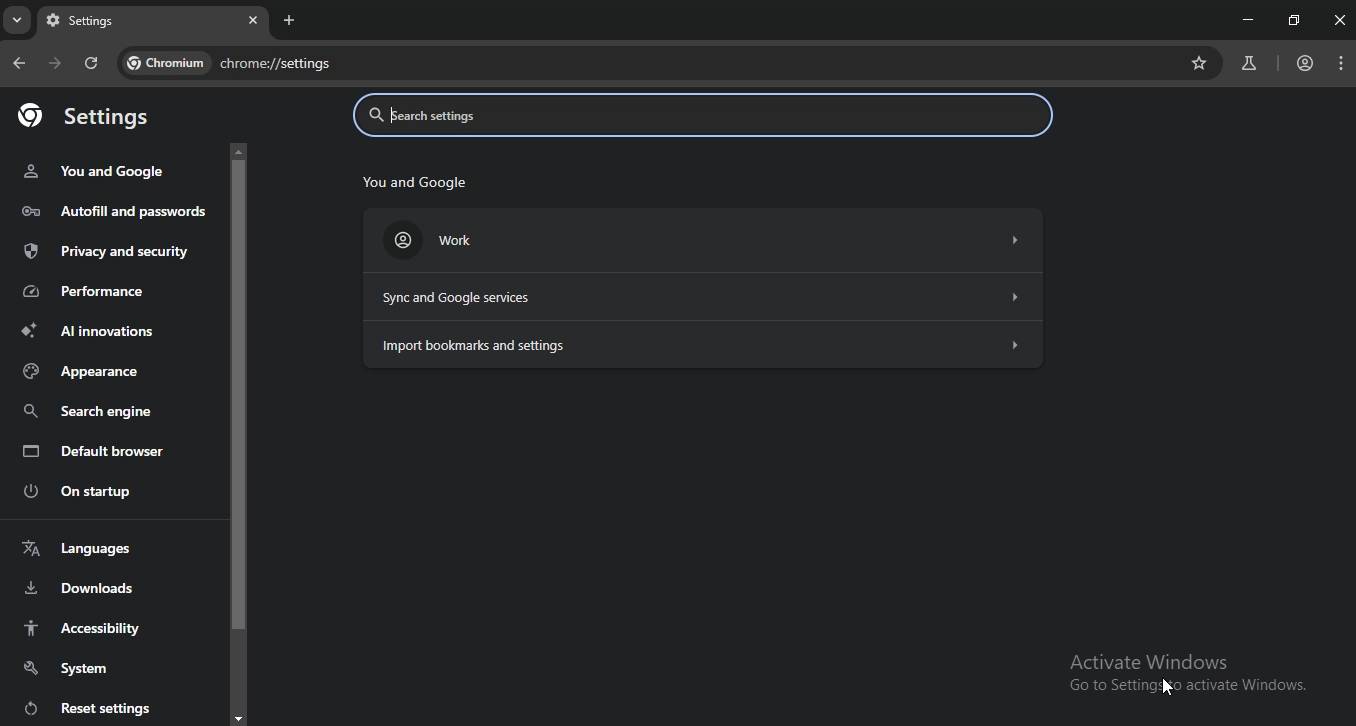 The width and height of the screenshot is (1356, 726). I want to click on Privacy and security, so click(104, 252).